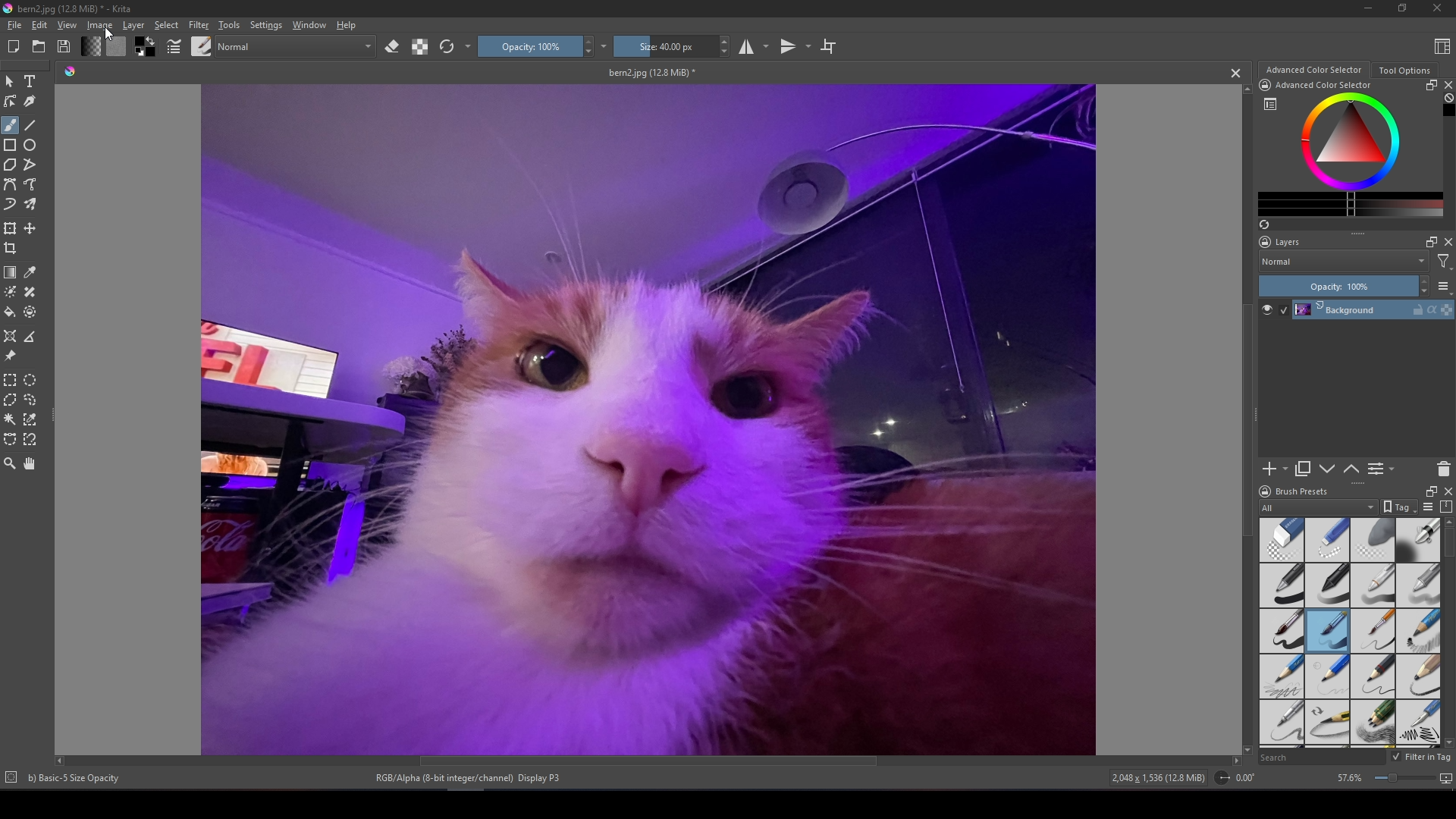 Image resolution: width=1456 pixels, height=819 pixels. What do you see at coordinates (11, 272) in the screenshot?
I see `Draw a gradient` at bounding box center [11, 272].